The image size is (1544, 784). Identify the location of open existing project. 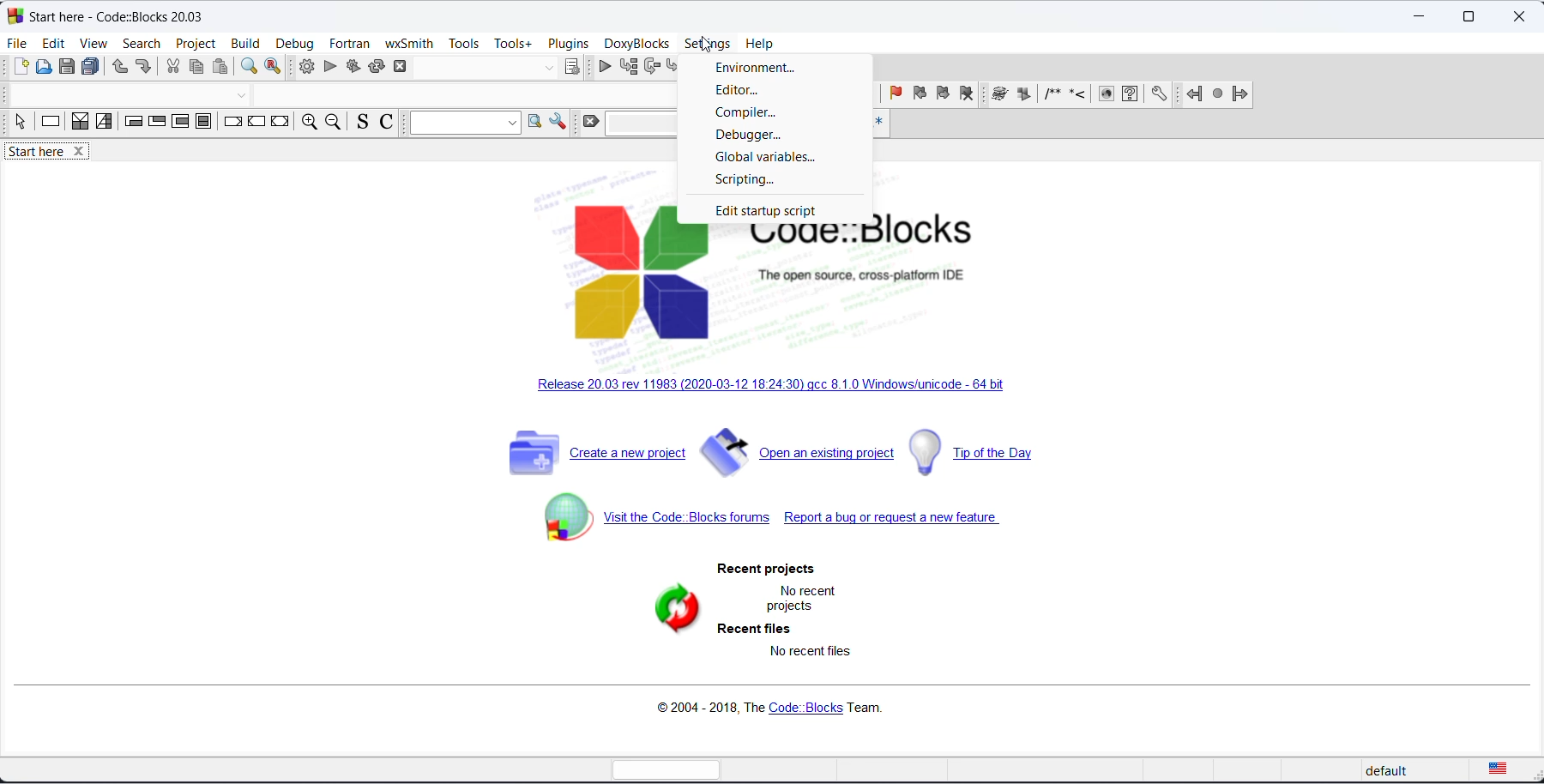
(799, 451).